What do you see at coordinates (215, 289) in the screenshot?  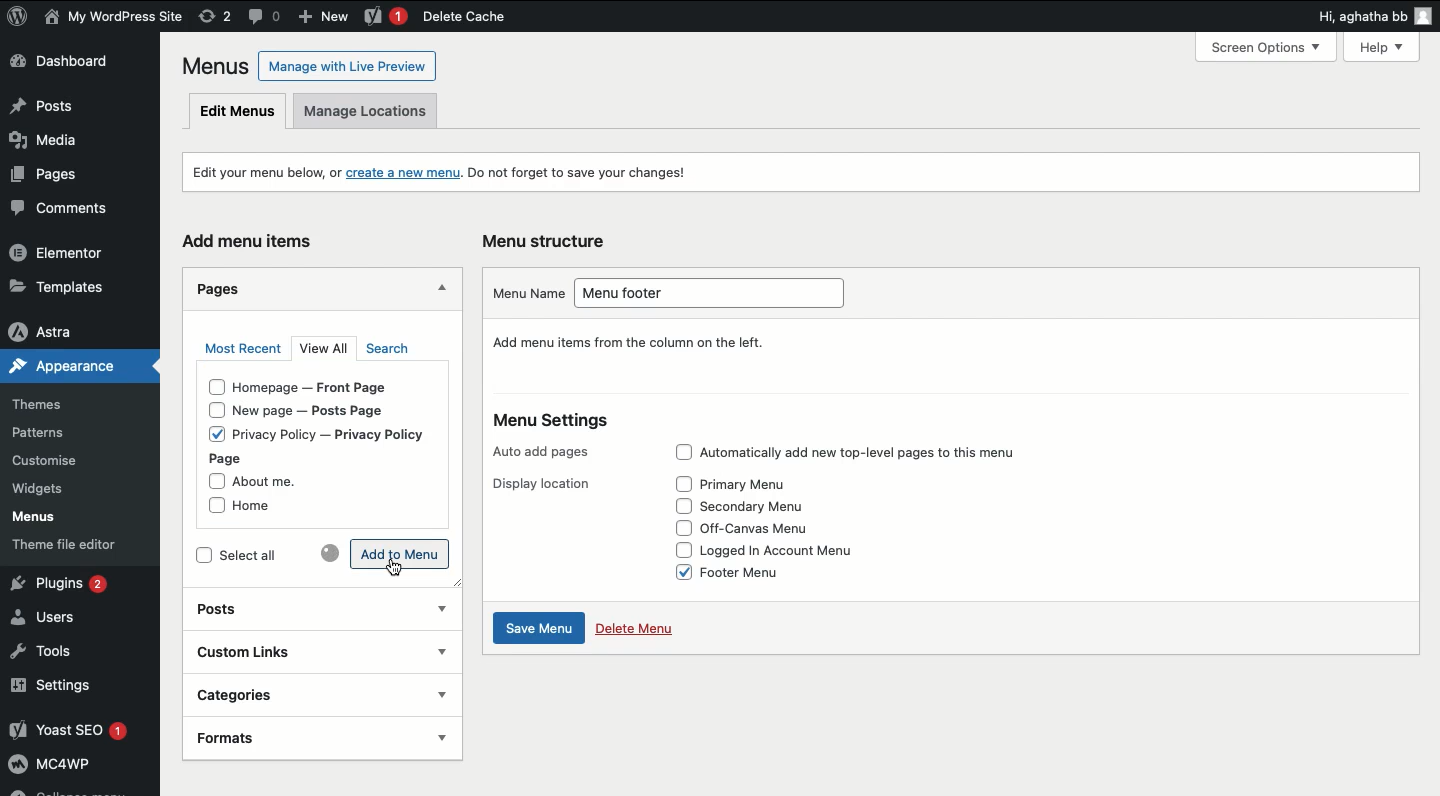 I see `Pages` at bounding box center [215, 289].